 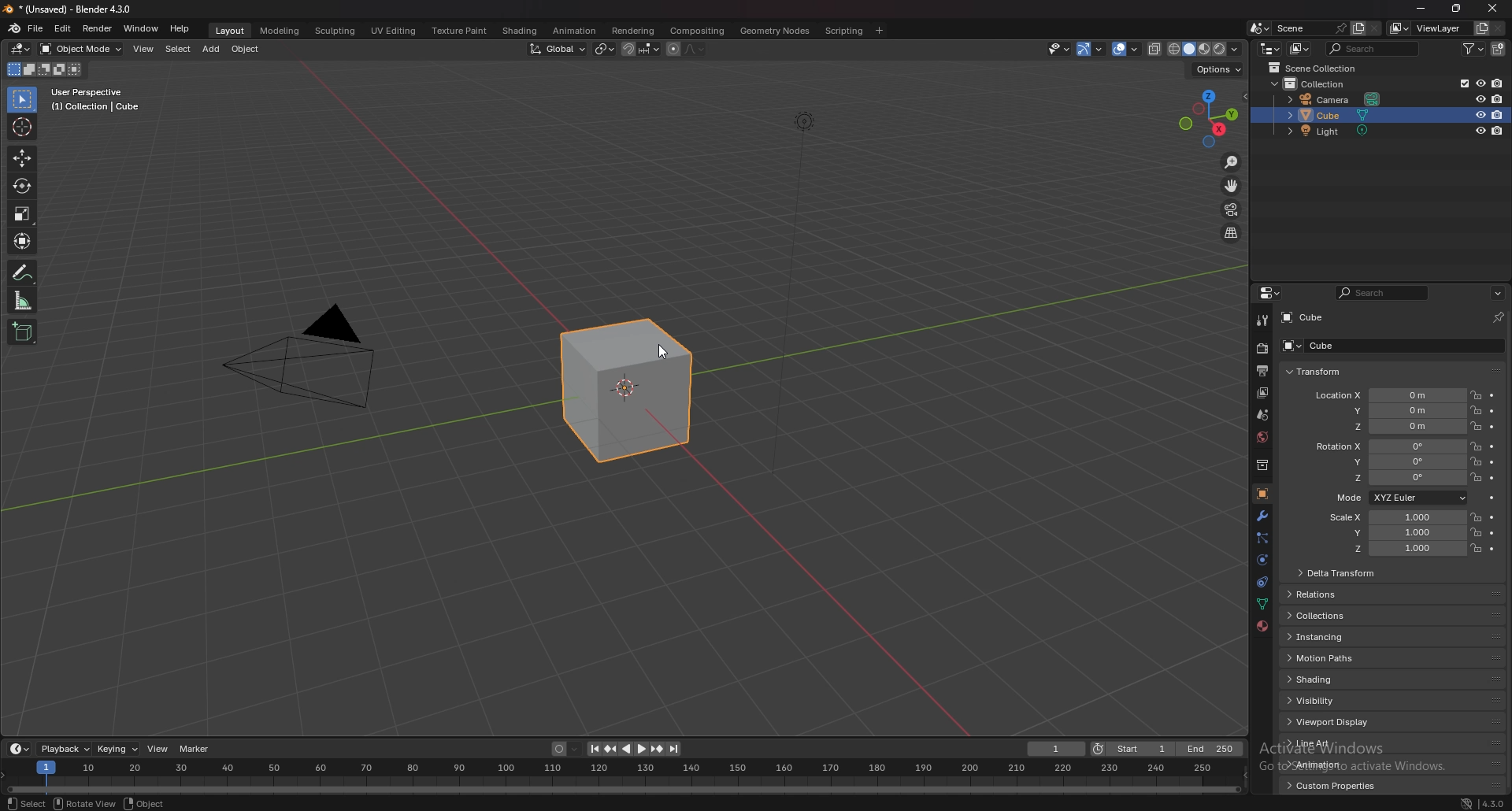 What do you see at coordinates (75, 9) in the screenshot?
I see `title` at bounding box center [75, 9].